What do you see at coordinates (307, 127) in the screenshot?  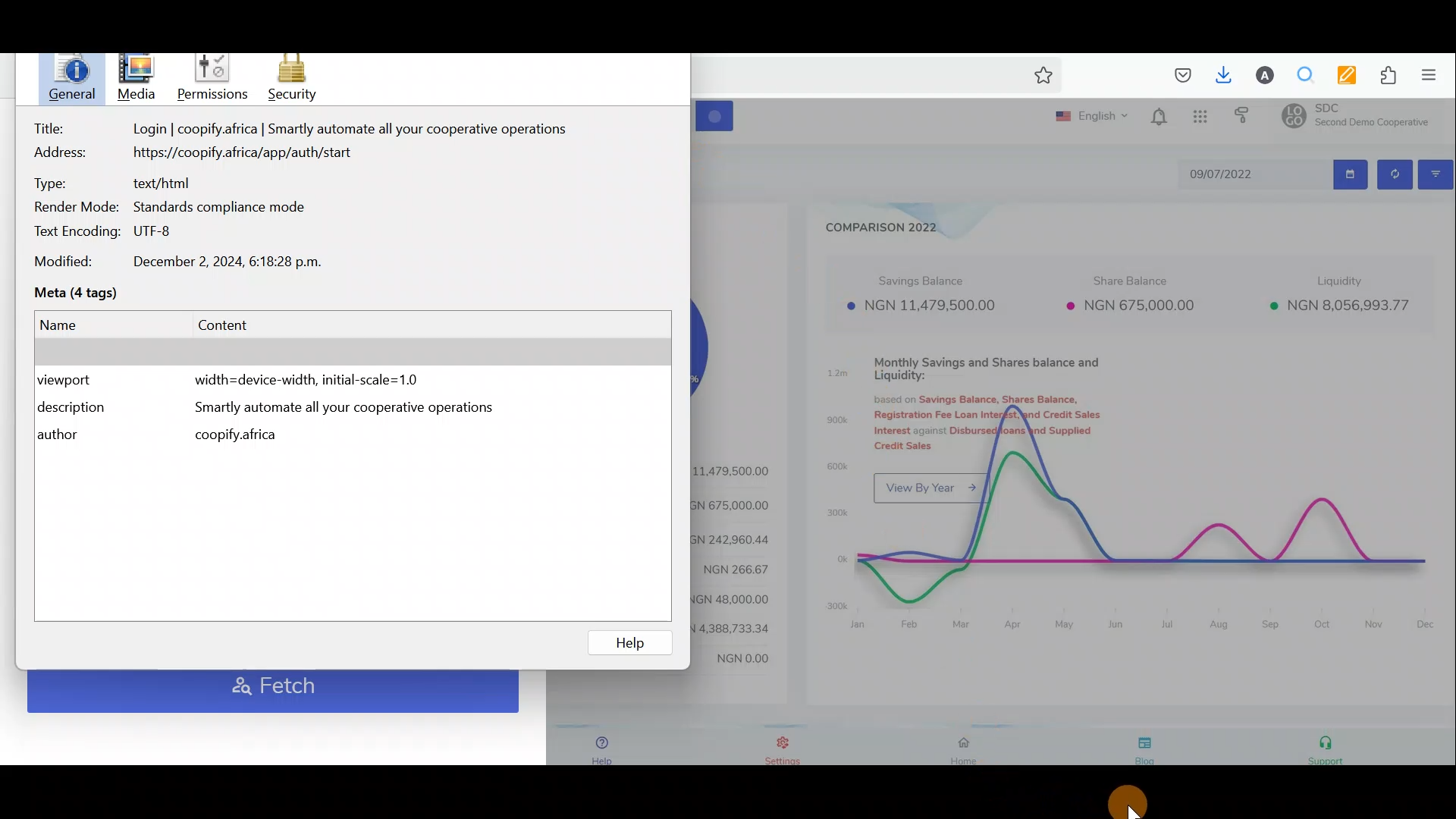 I see `Title` at bounding box center [307, 127].